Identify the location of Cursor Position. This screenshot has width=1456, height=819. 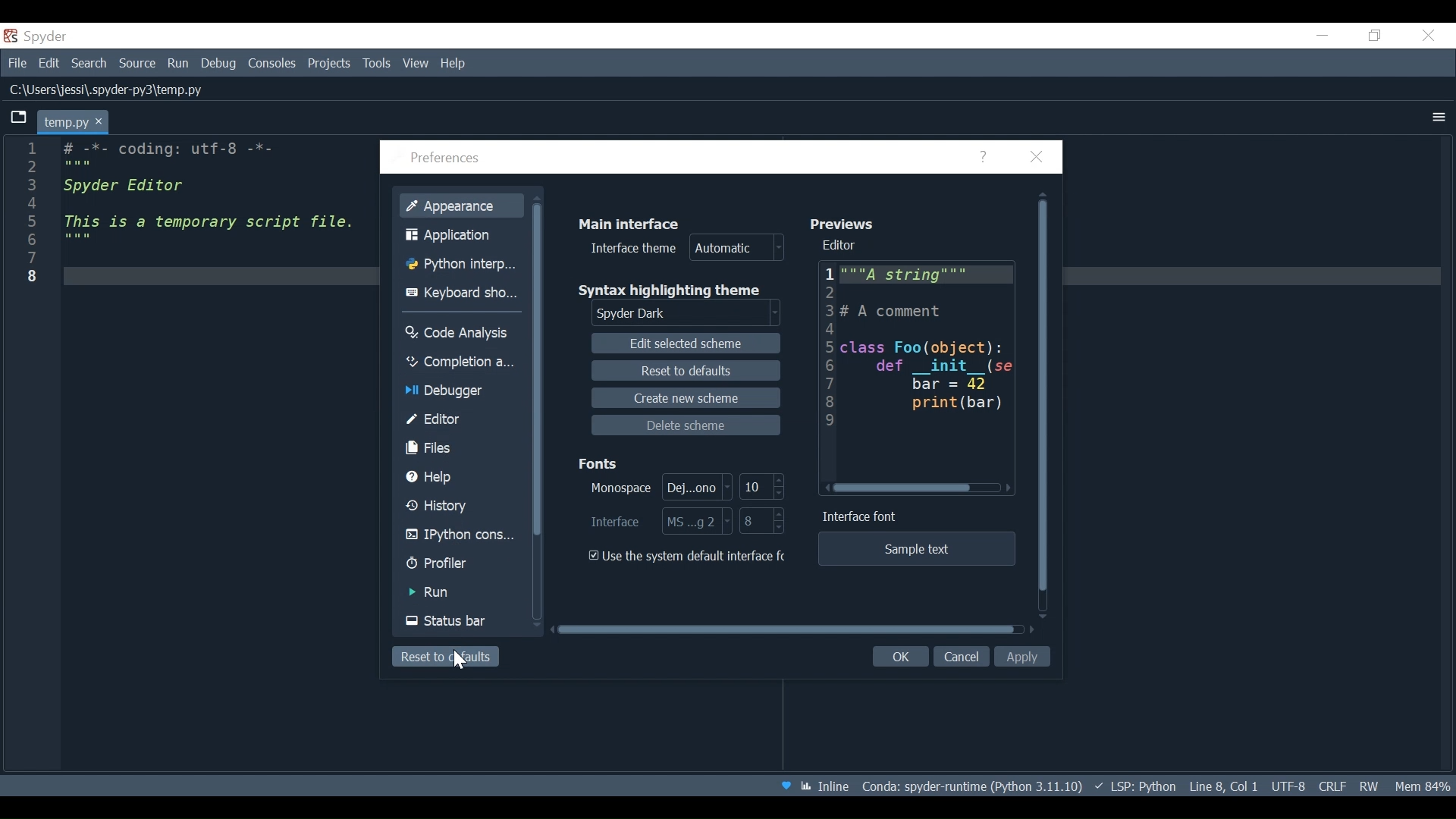
(1223, 786).